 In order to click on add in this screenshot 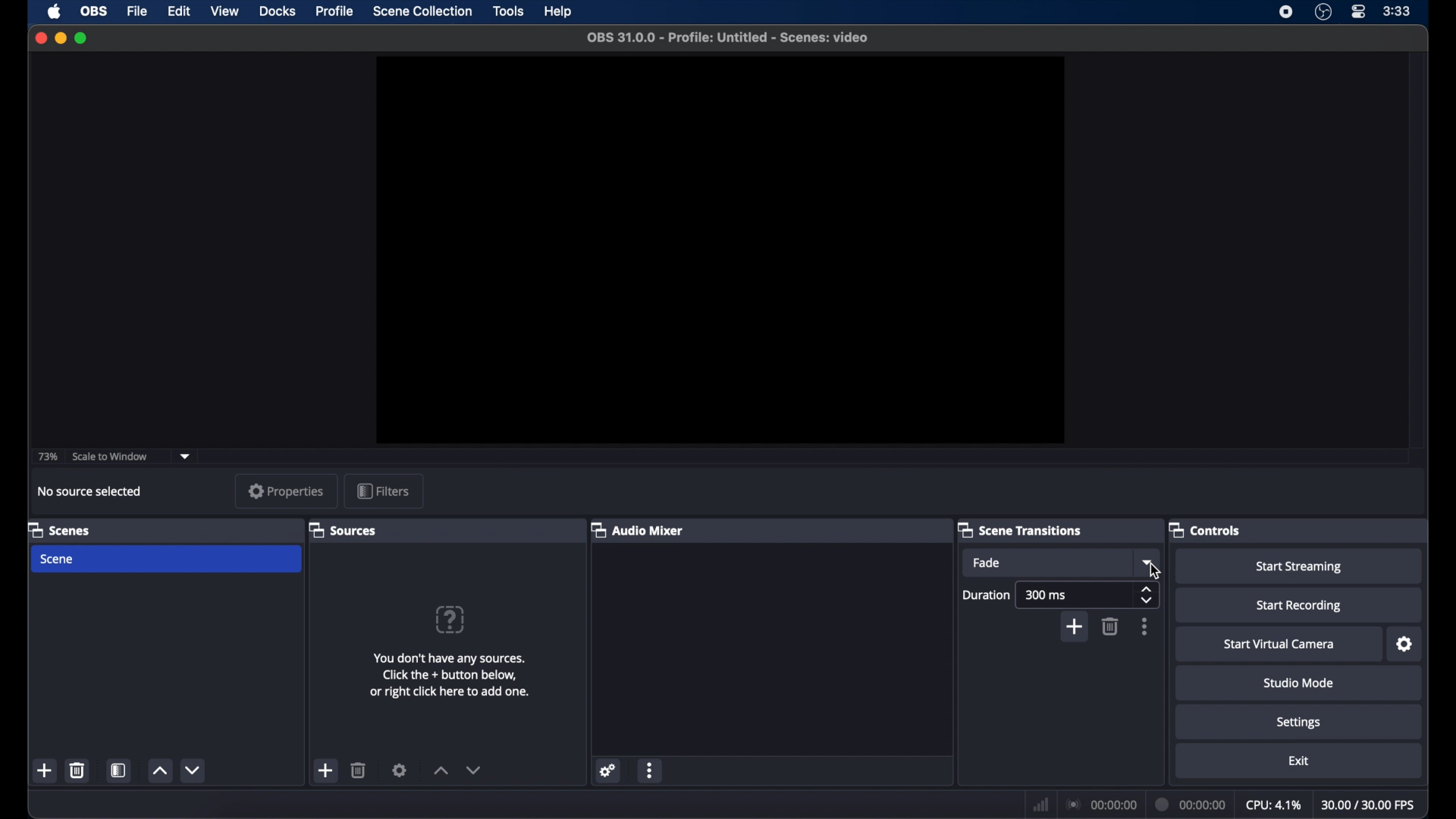, I will do `click(327, 770)`.